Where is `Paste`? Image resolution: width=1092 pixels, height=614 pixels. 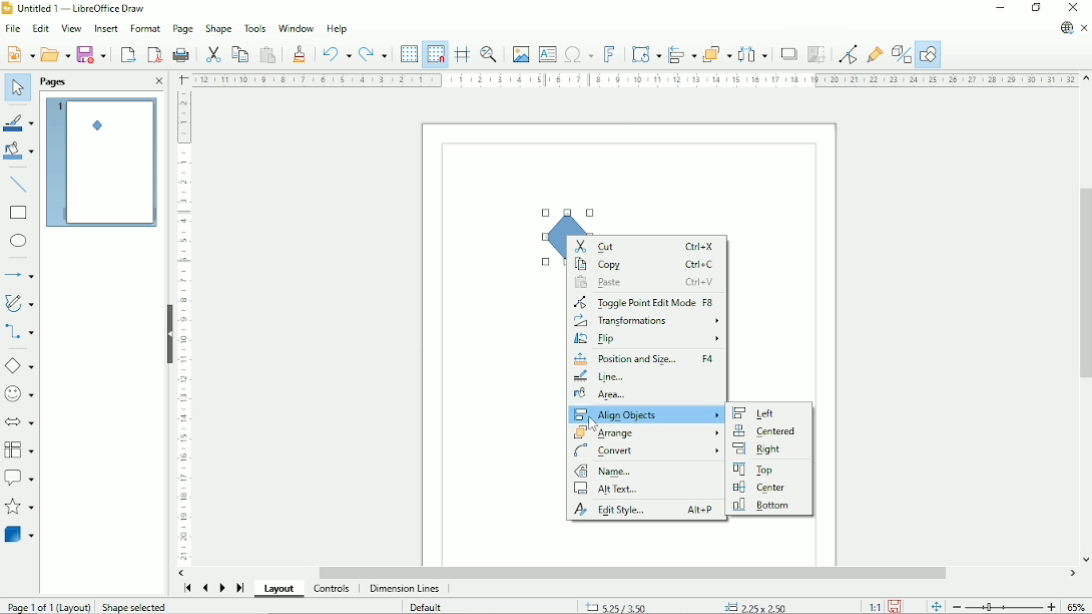
Paste is located at coordinates (644, 283).